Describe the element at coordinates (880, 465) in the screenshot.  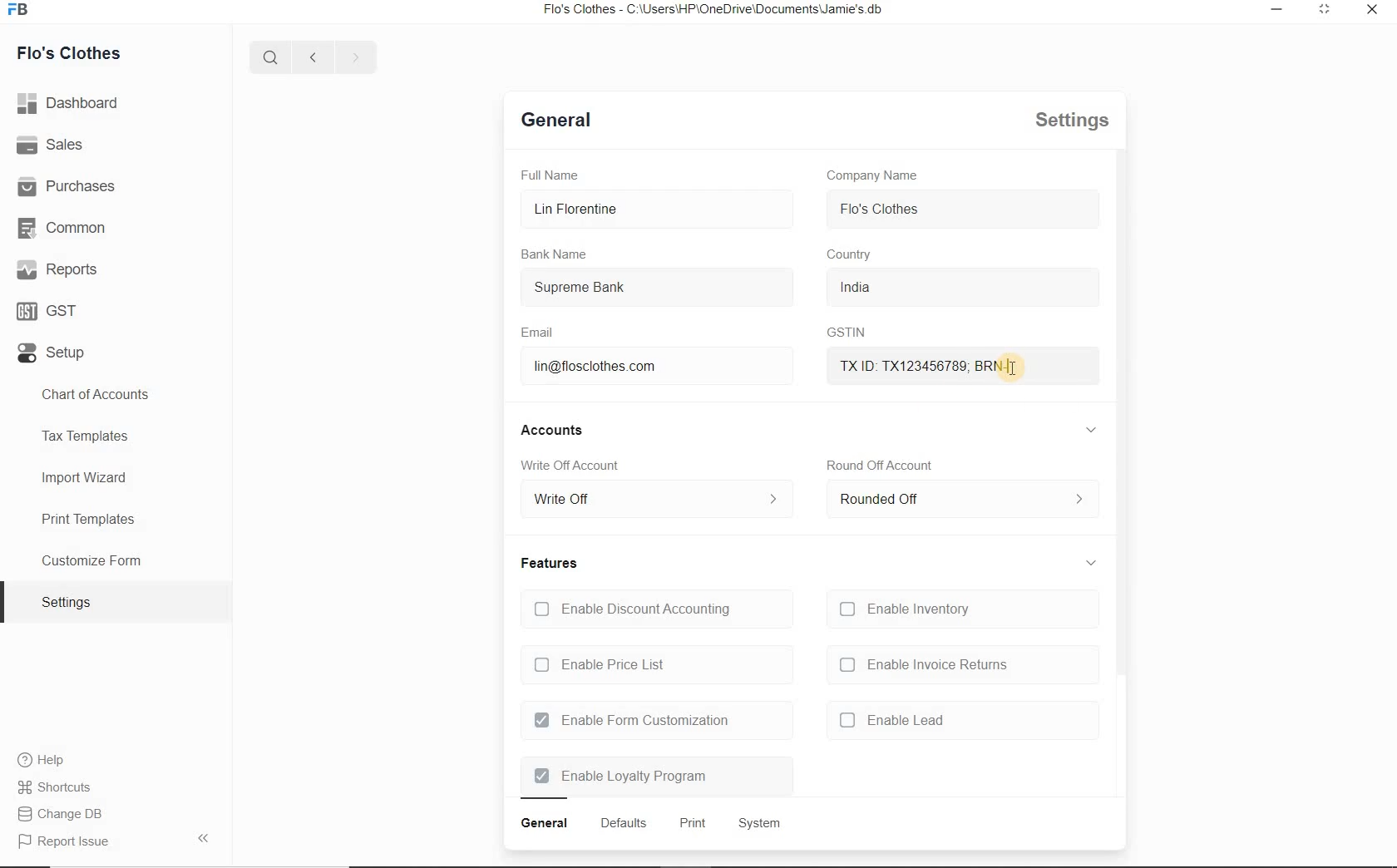
I see `round off account` at that location.